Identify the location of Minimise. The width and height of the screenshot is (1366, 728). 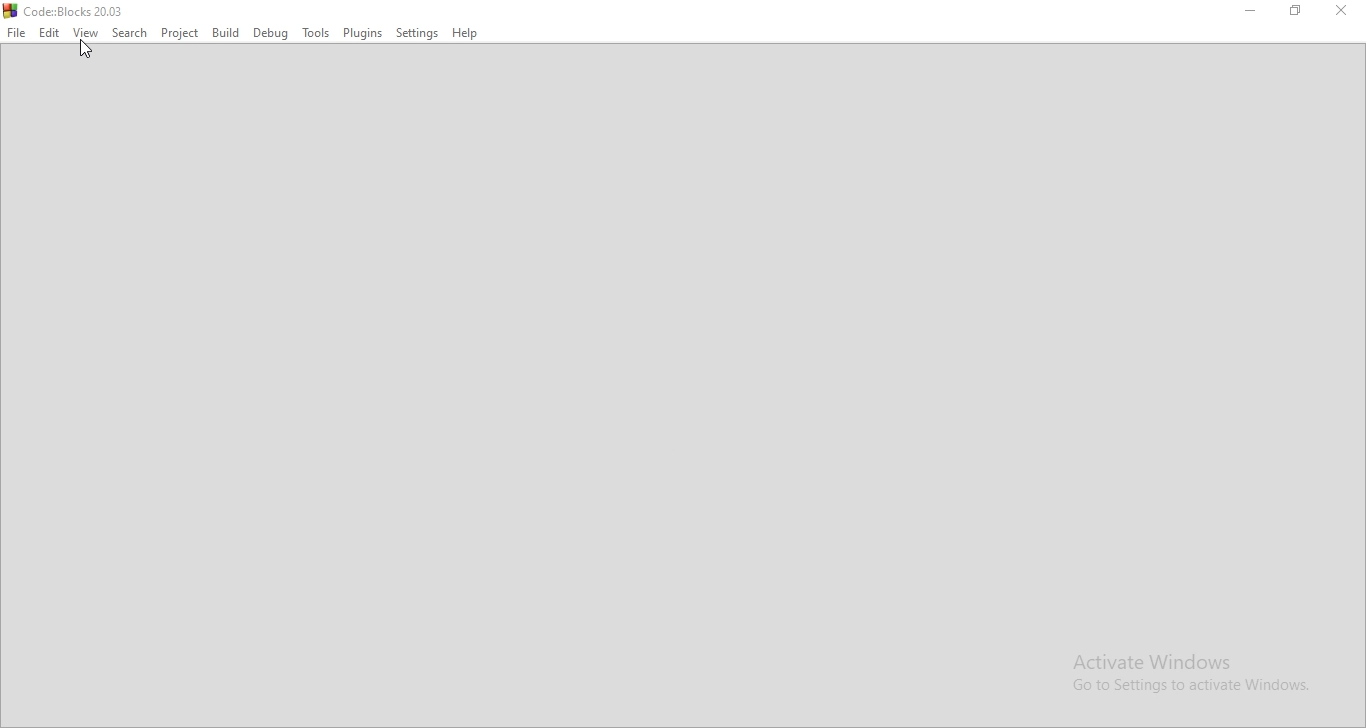
(1254, 14).